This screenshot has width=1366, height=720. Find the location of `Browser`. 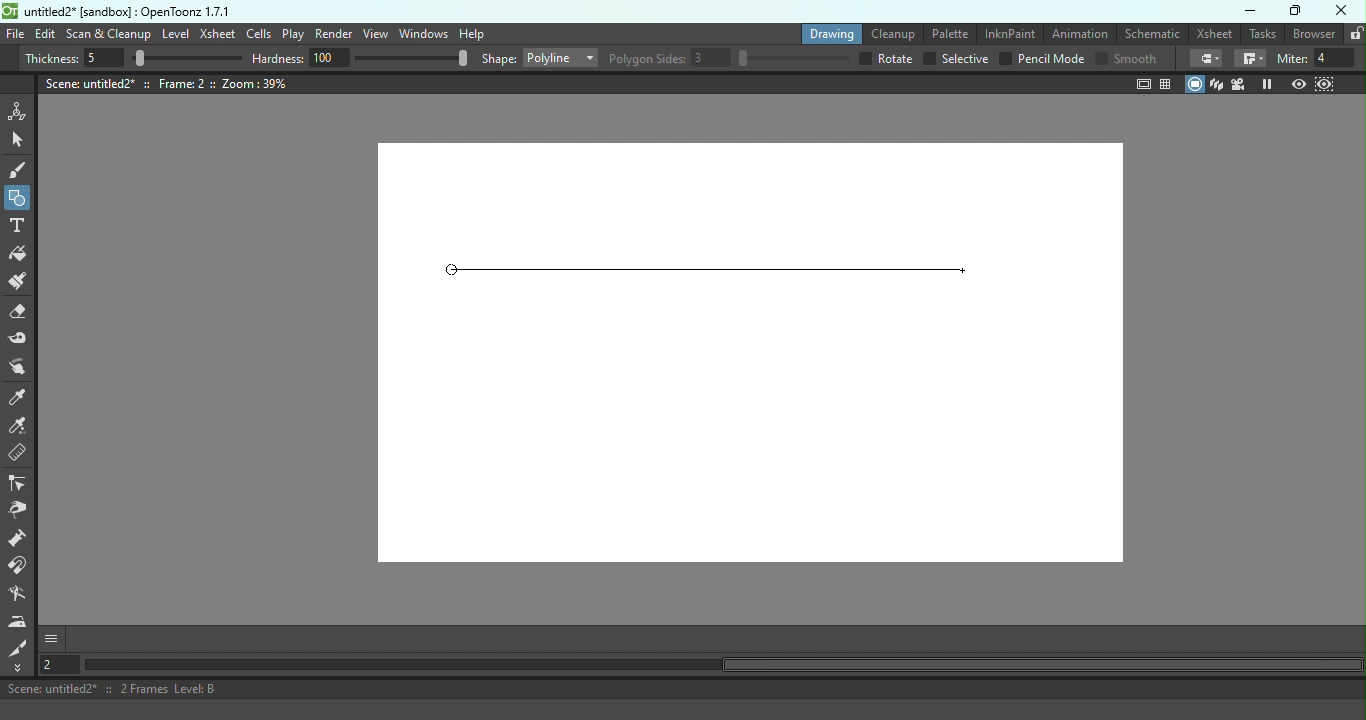

Browser is located at coordinates (1315, 34).